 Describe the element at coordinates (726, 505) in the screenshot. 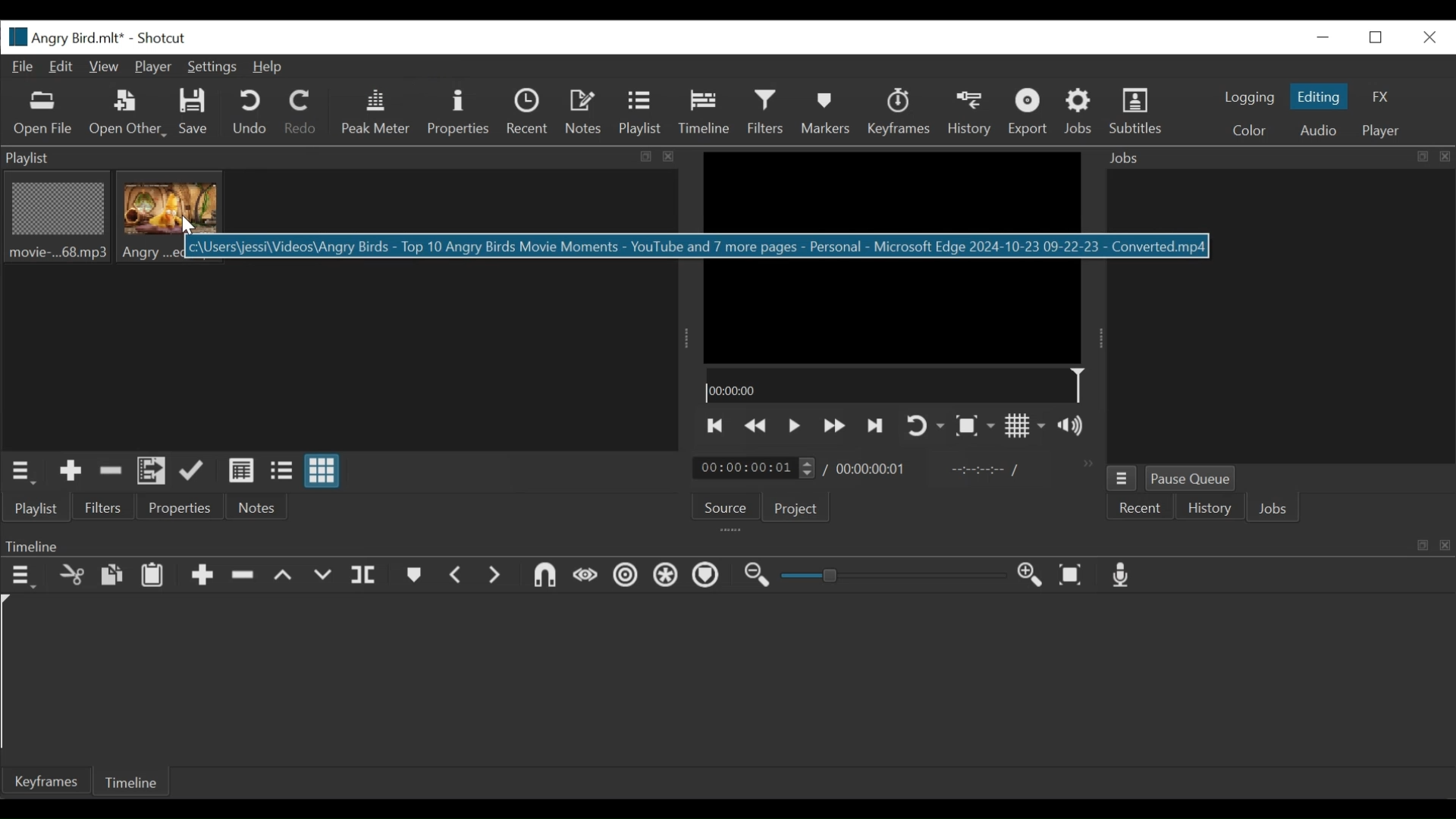

I see `Source` at that location.